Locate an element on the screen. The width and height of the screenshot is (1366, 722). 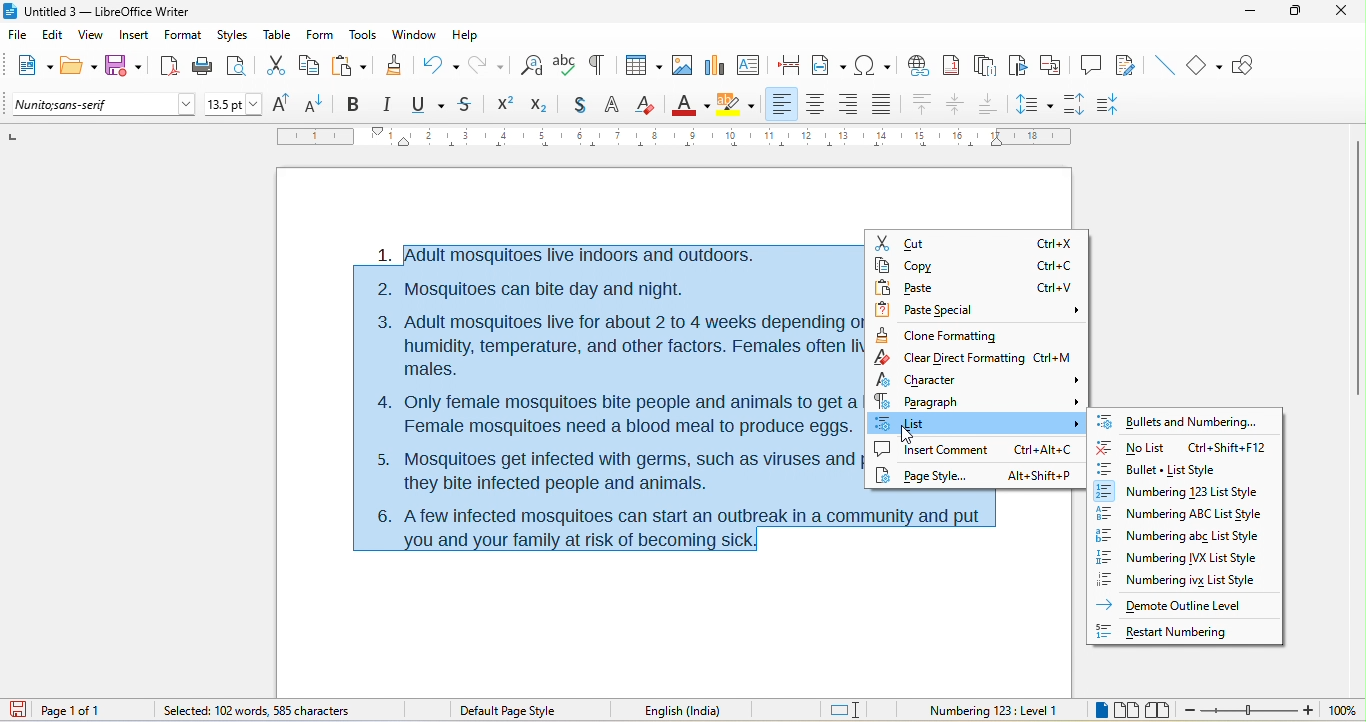
table is located at coordinates (278, 36).